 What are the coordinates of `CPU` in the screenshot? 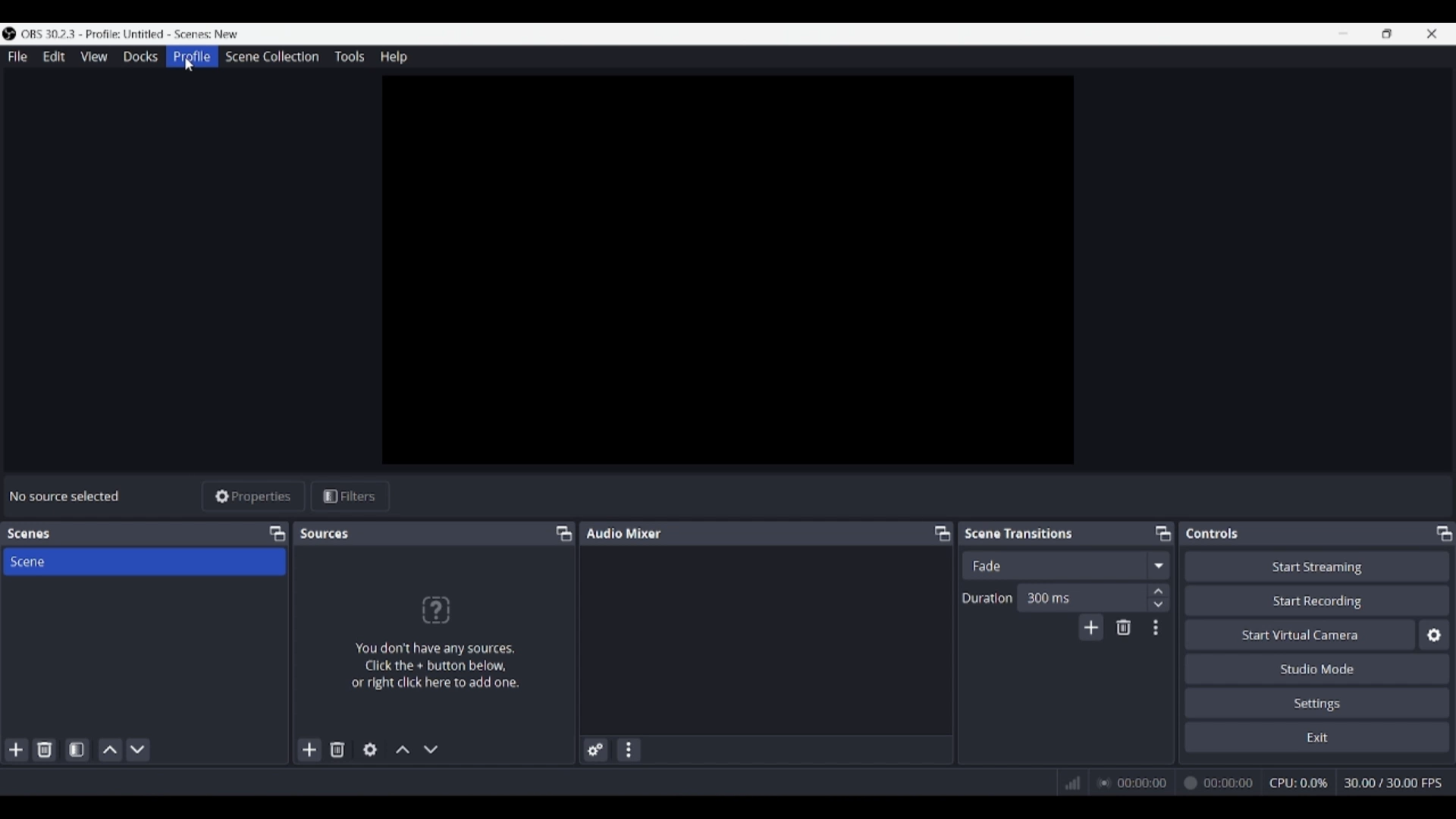 It's located at (1299, 783).